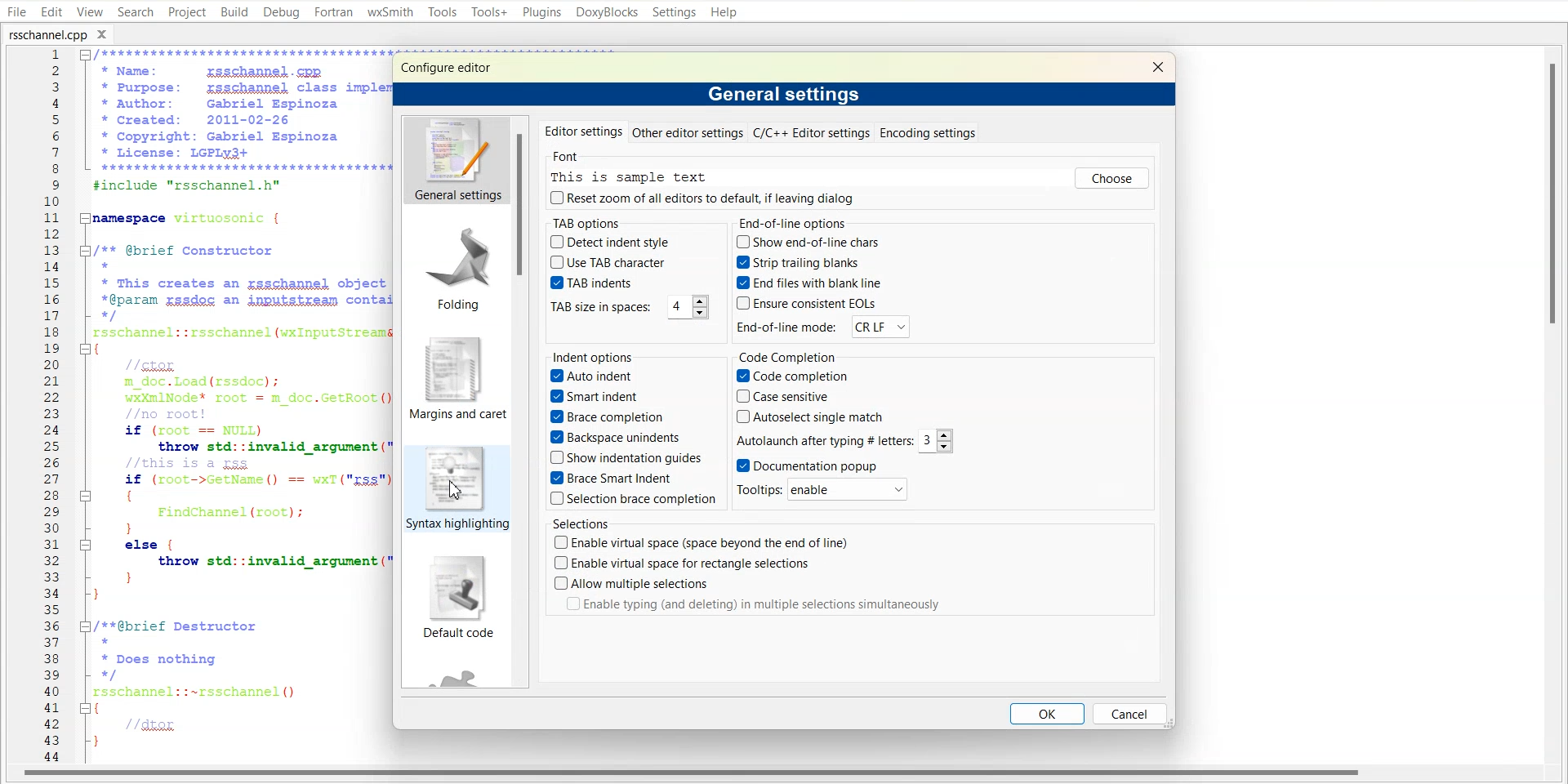 The image size is (1568, 784). Describe the element at coordinates (186, 11) in the screenshot. I see `Project` at that location.